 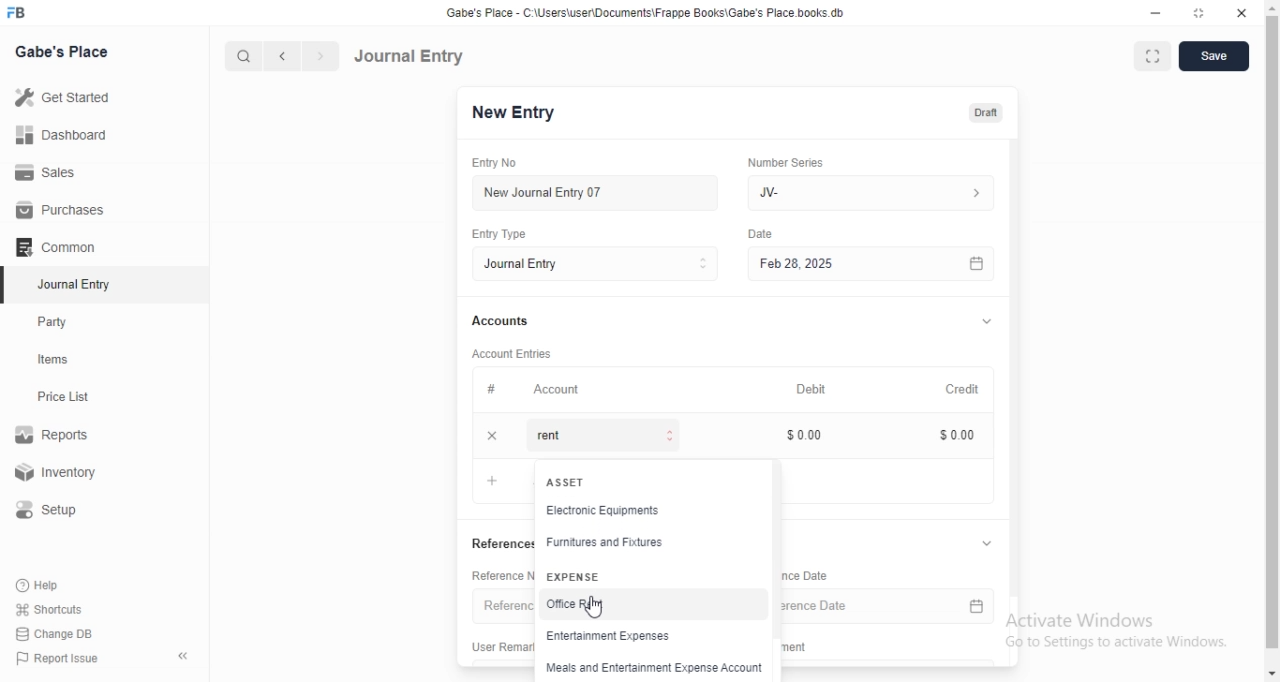 I want to click on Entry Type, so click(x=509, y=234).